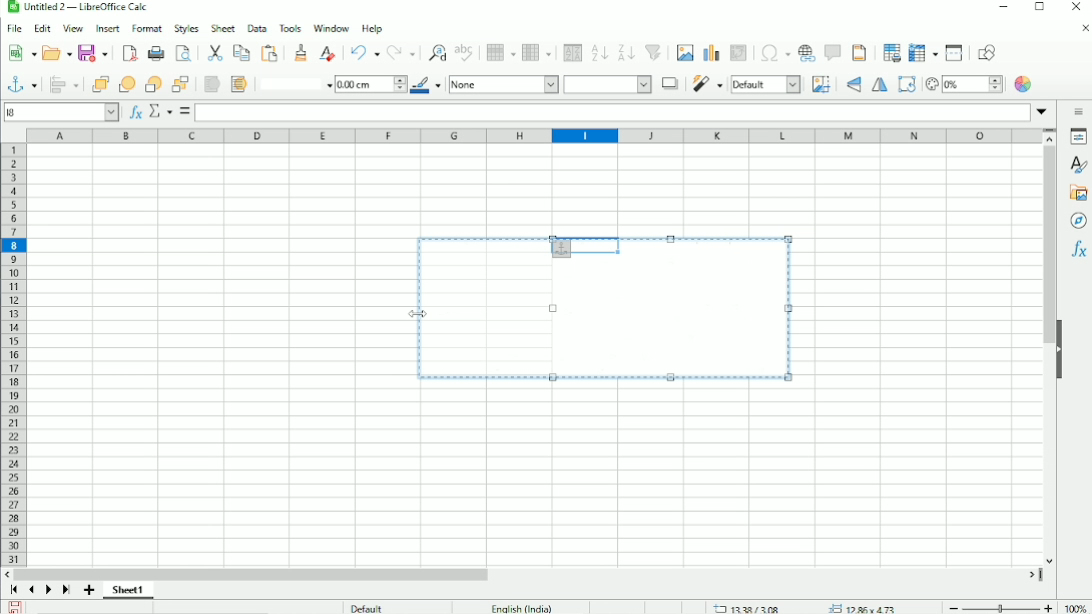 This screenshot has height=614, width=1092. I want to click on Sheet, so click(224, 28).